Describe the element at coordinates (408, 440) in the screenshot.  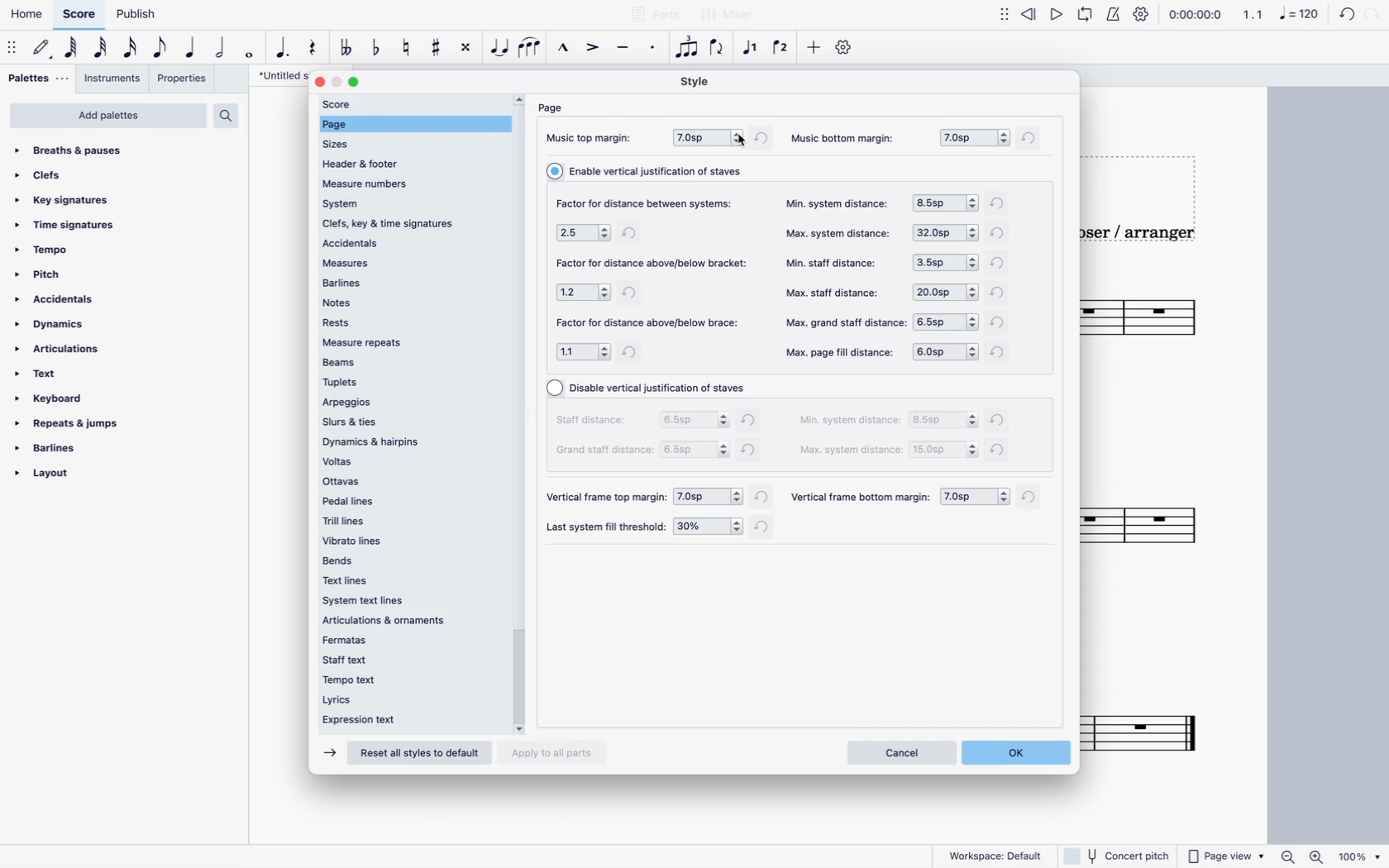
I see `dynamics & hairpins` at that location.